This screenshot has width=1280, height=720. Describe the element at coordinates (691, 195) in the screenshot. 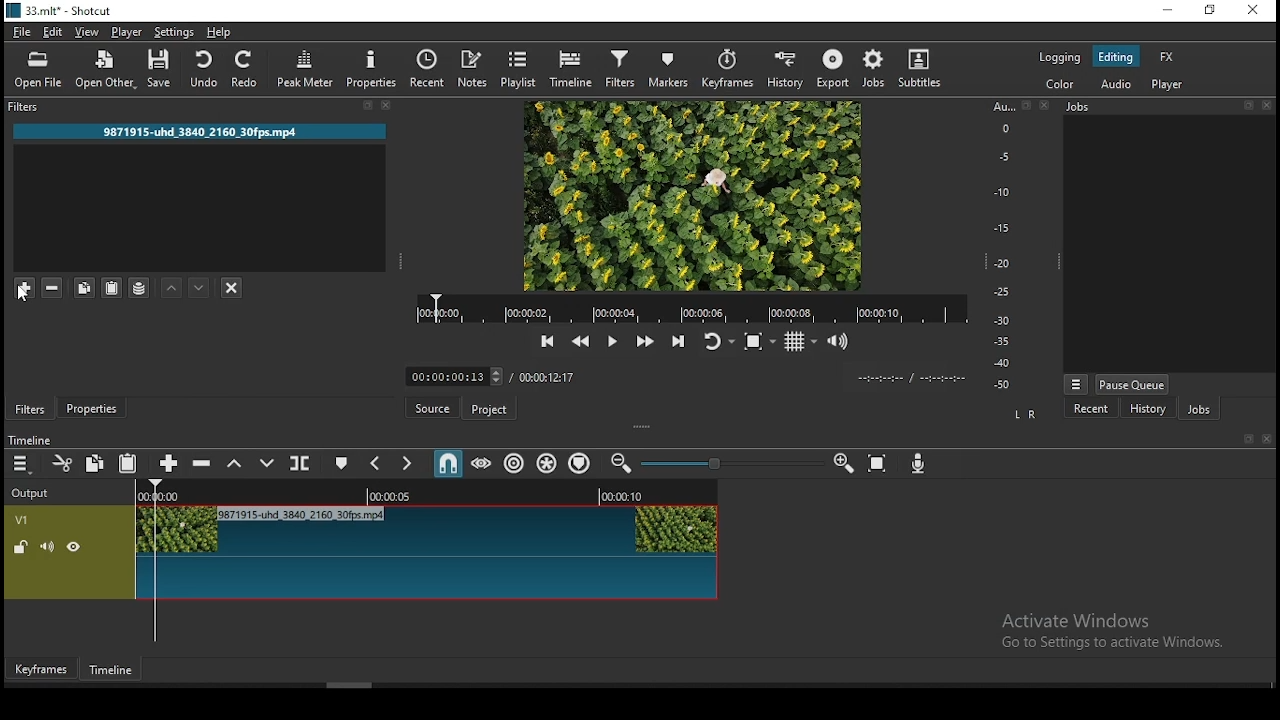

I see `video` at that location.